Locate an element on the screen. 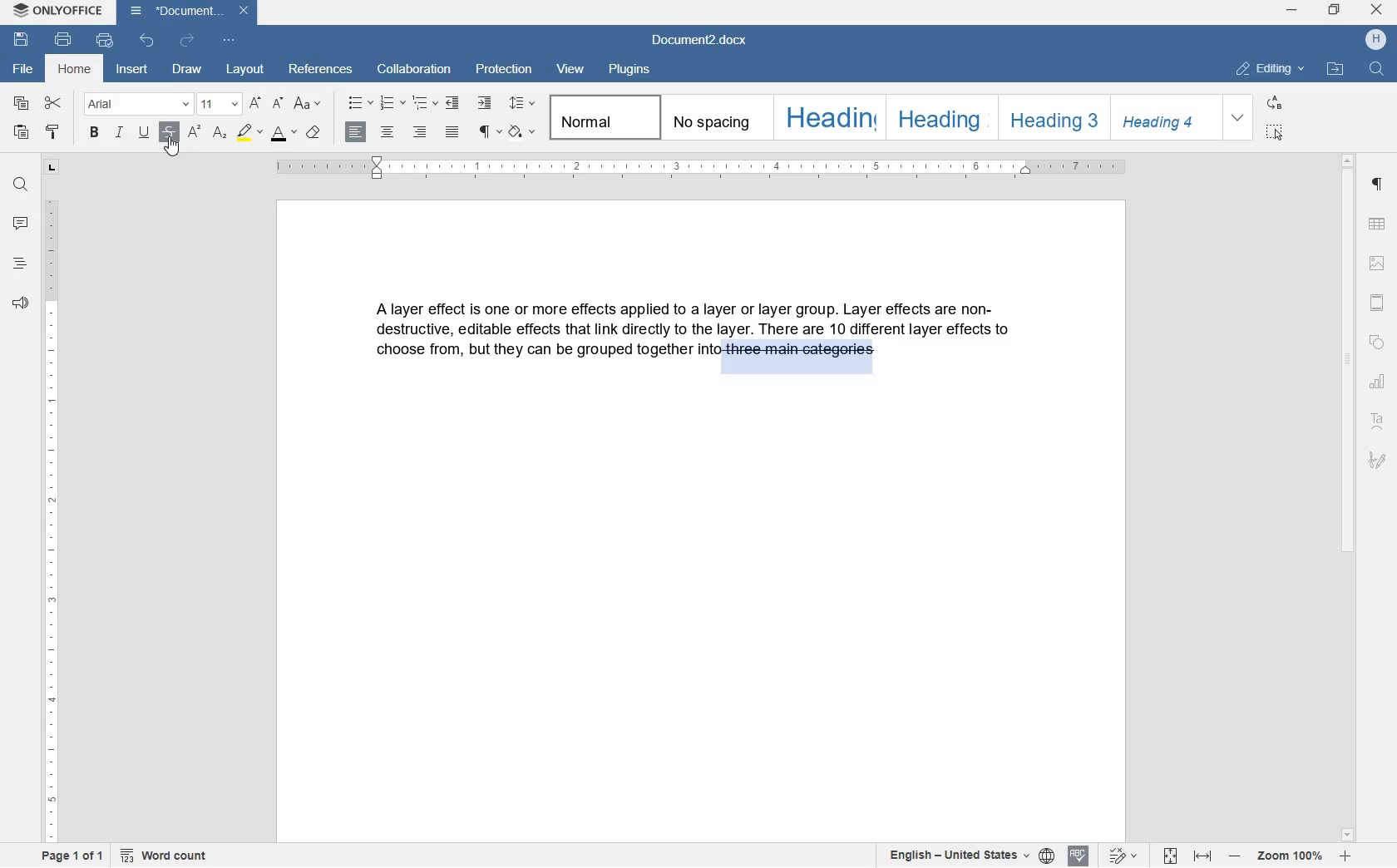 Image resolution: width=1397 pixels, height=868 pixels. cut is located at coordinates (55, 104).